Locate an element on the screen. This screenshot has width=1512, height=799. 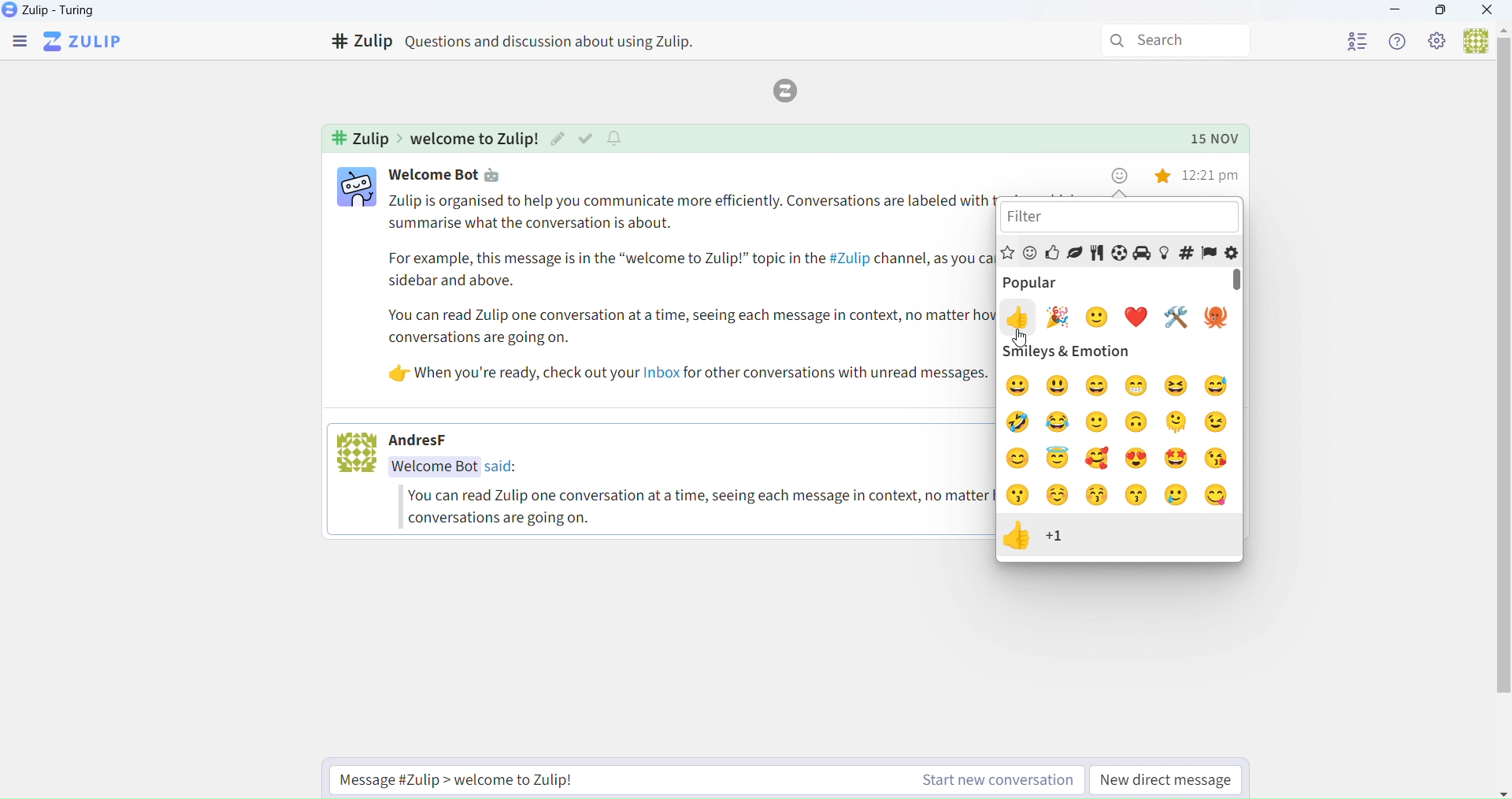
laugh with panic is located at coordinates (1217, 385).